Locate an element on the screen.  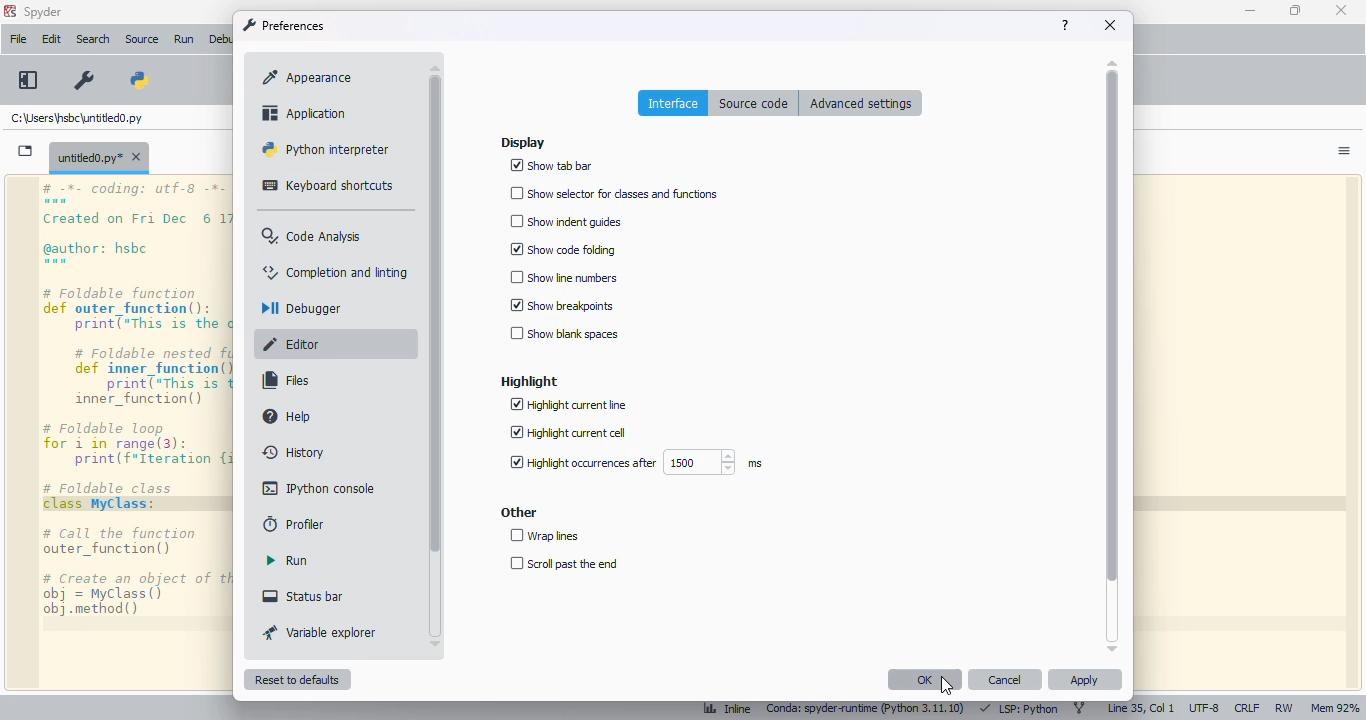
scroll past the end is located at coordinates (565, 563).